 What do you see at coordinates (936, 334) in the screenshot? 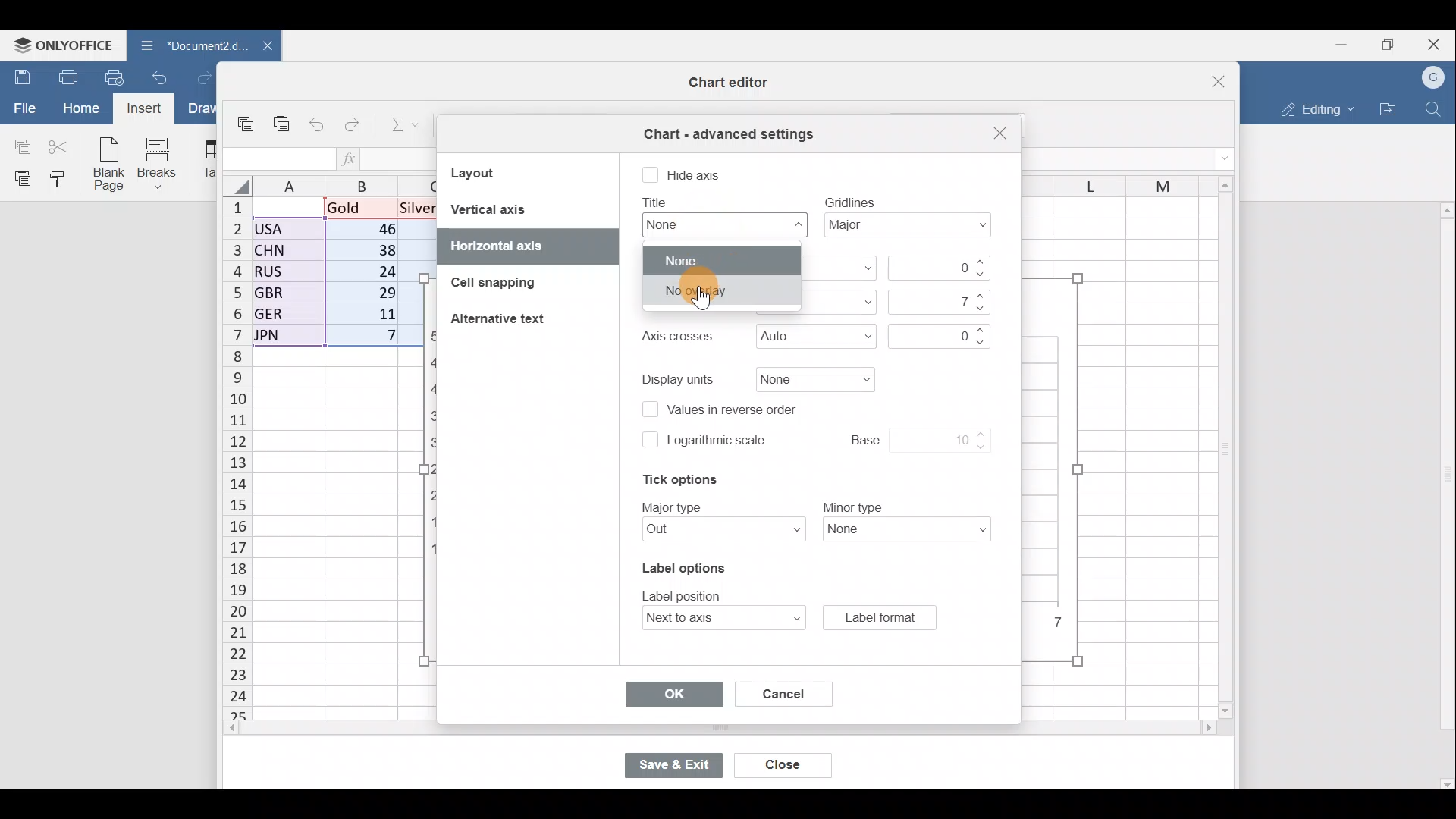
I see `Axis crosses value` at bounding box center [936, 334].